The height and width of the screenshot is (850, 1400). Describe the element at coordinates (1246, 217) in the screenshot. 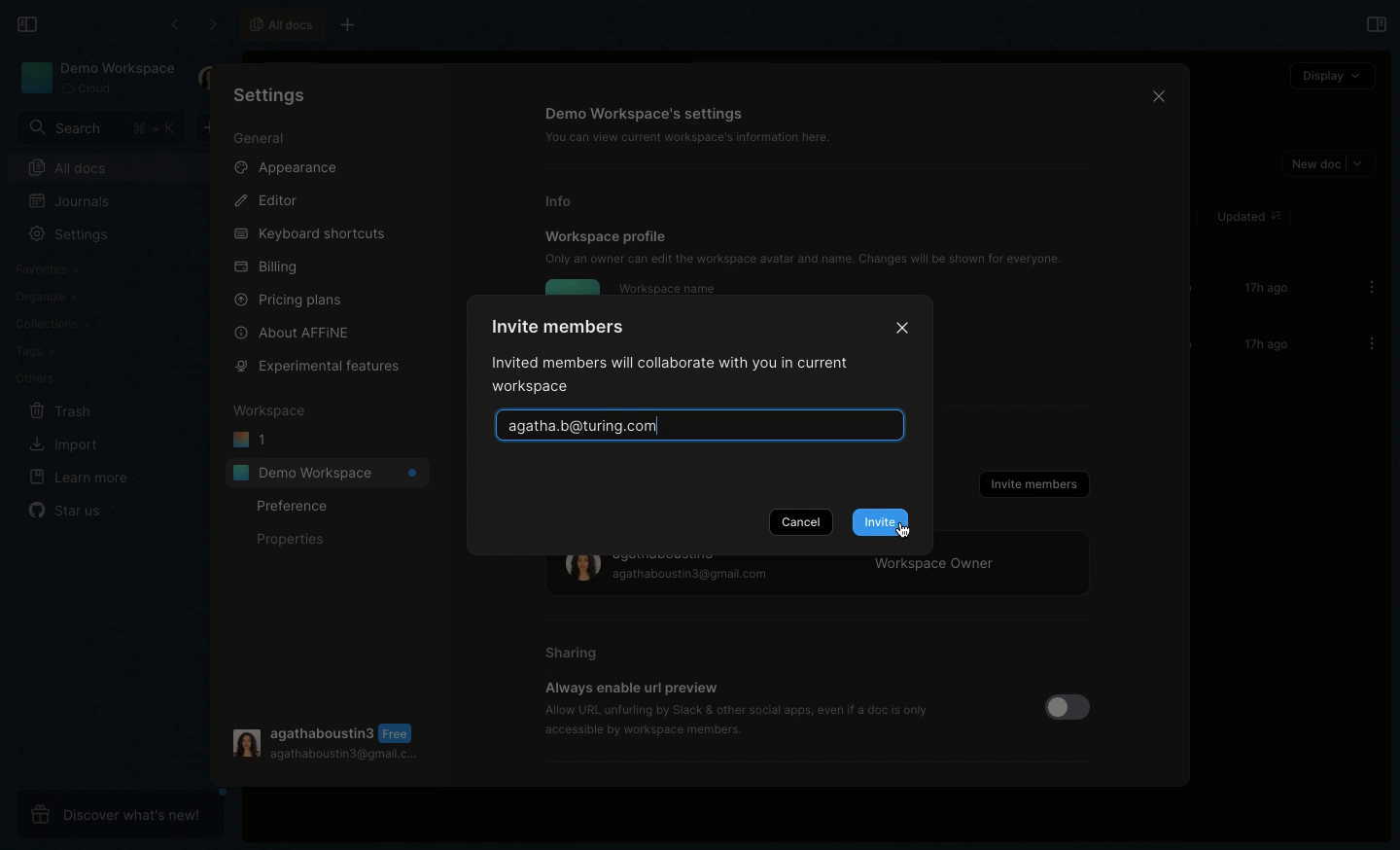

I see `Updated` at that location.